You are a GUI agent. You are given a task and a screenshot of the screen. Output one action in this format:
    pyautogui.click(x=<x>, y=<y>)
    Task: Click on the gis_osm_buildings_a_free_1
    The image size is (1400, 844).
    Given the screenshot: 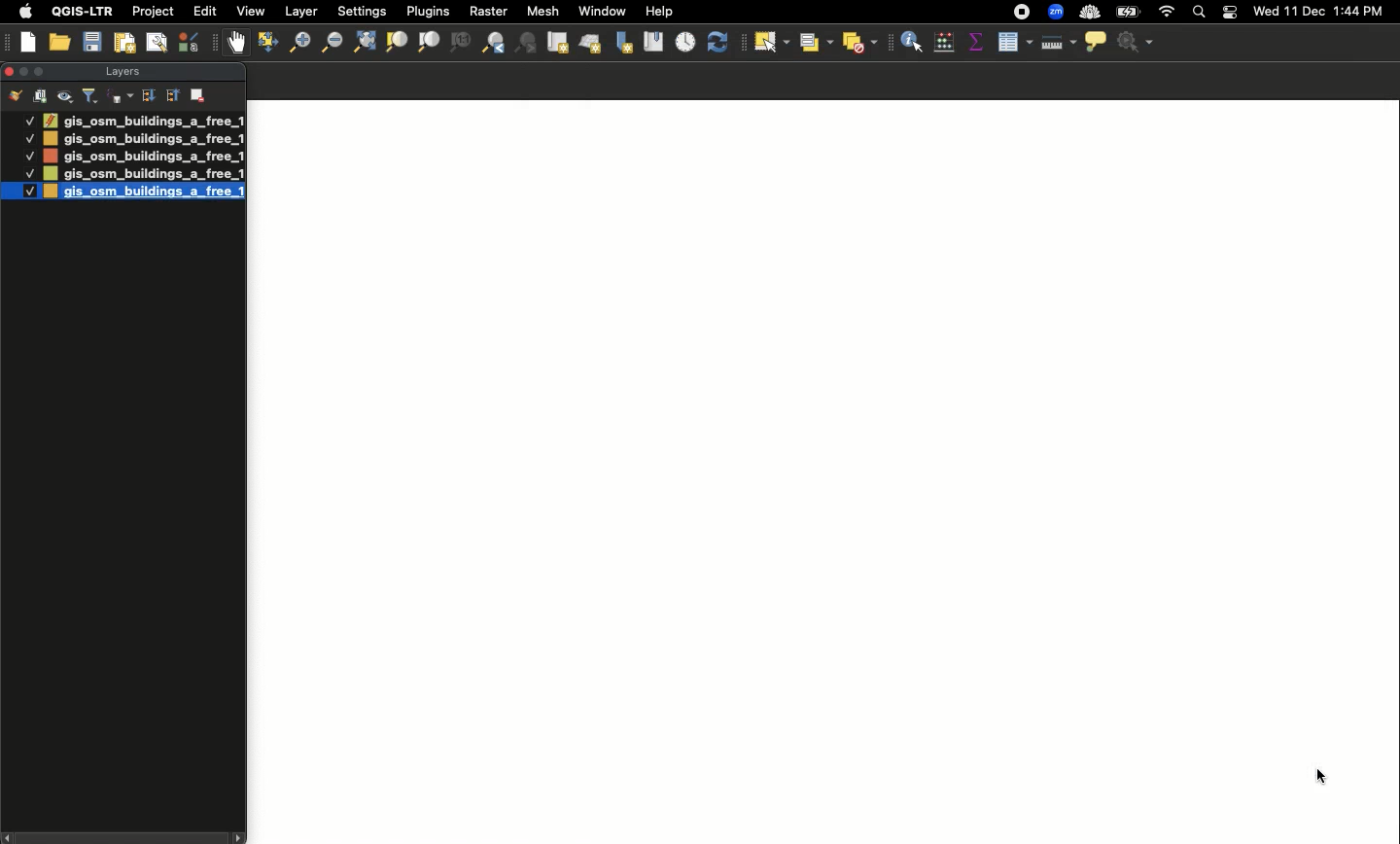 What is the action you would take?
    pyautogui.click(x=142, y=174)
    